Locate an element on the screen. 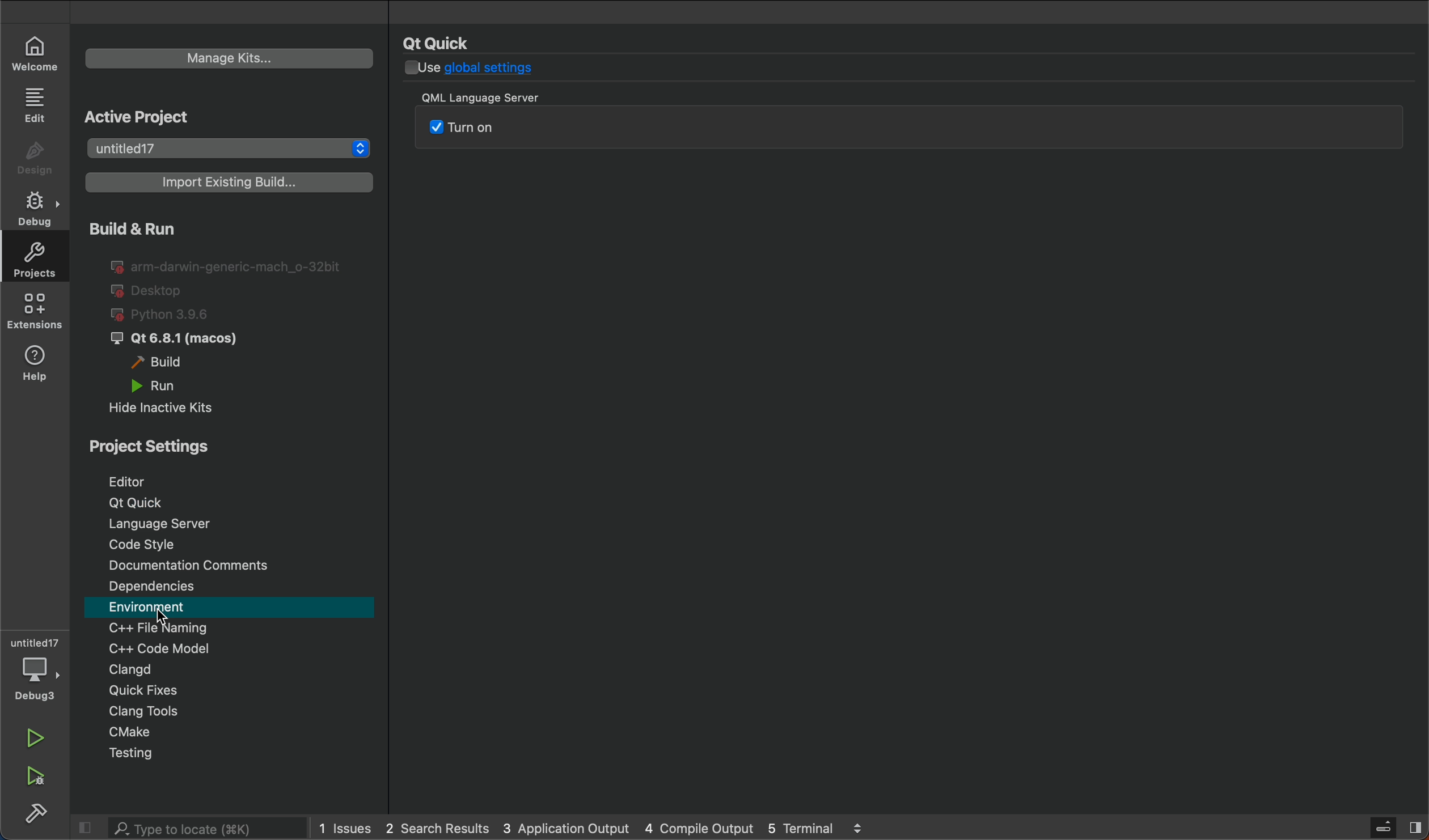 The height and width of the screenshot is (840, 1429). design is located at coordinates (38, 159).